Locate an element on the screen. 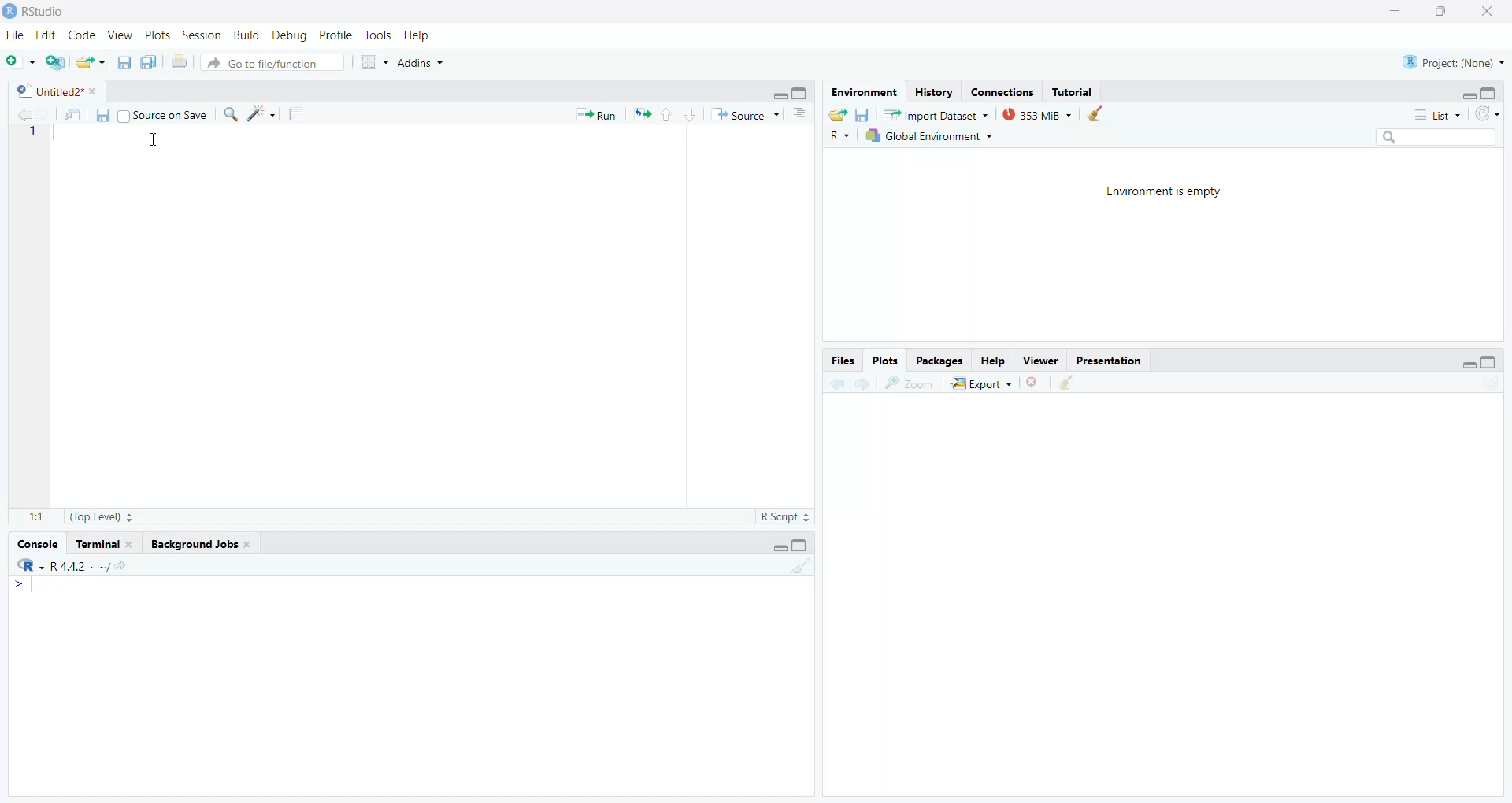  Global Environment ~ is located at coordinates (934, 139).